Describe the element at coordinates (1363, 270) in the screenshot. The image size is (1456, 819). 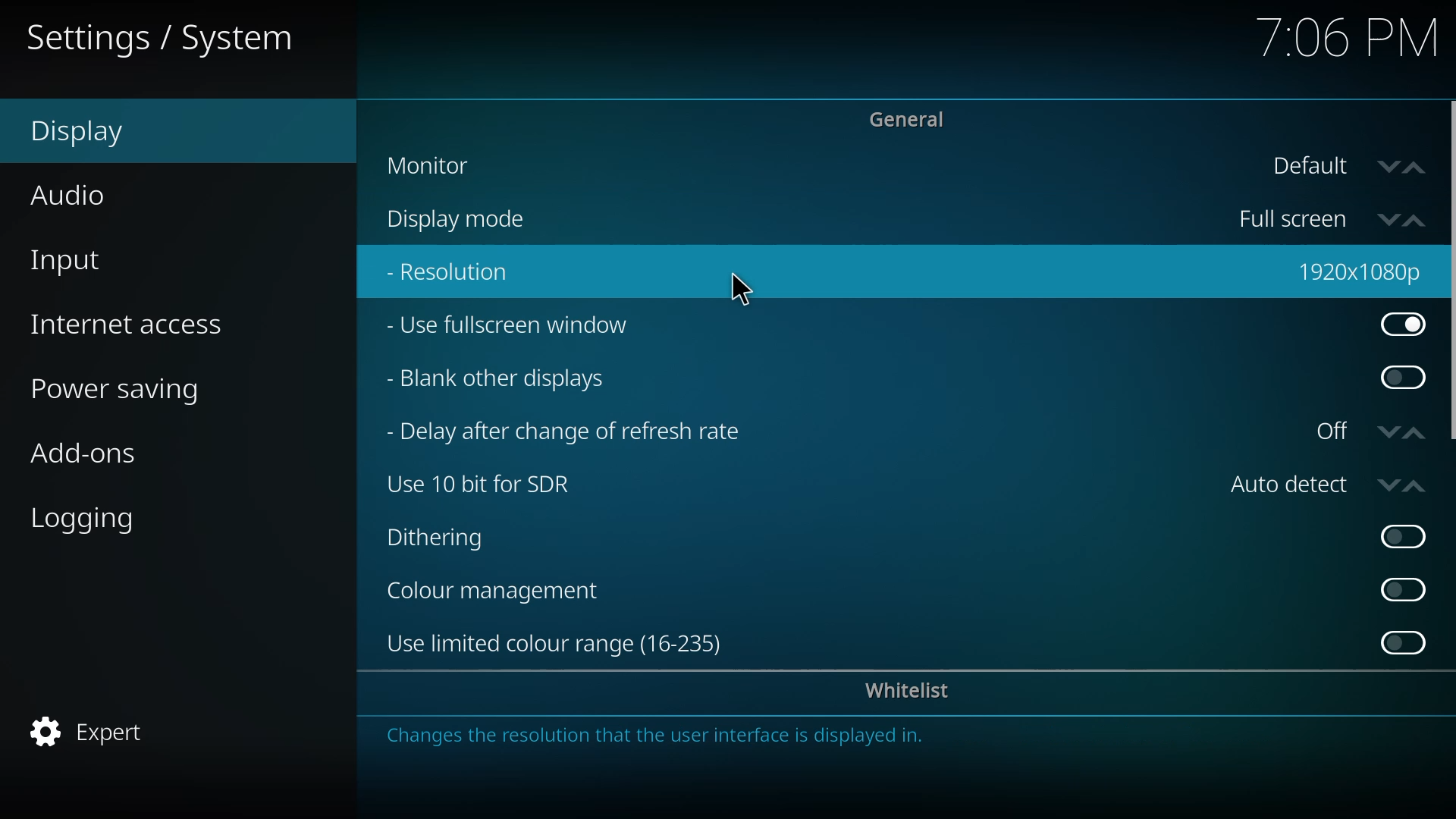
I see `1920*1080p` at that location.